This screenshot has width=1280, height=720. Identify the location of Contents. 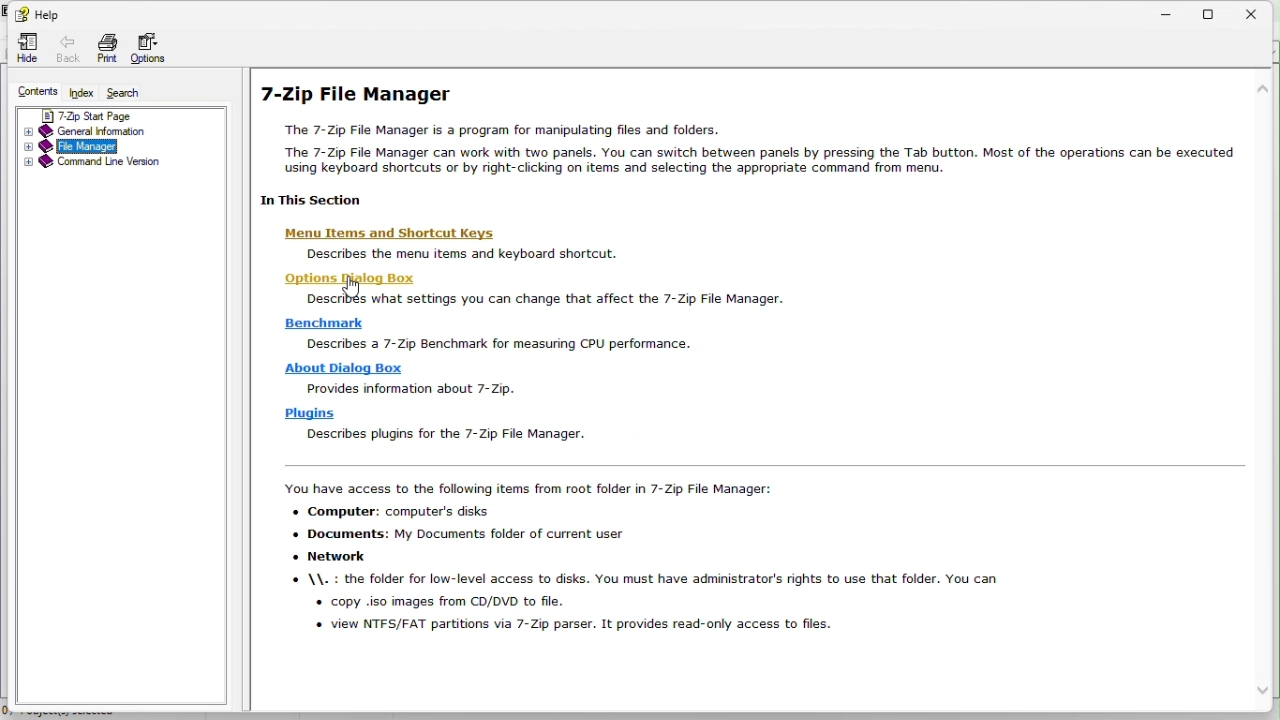
(29, 92).